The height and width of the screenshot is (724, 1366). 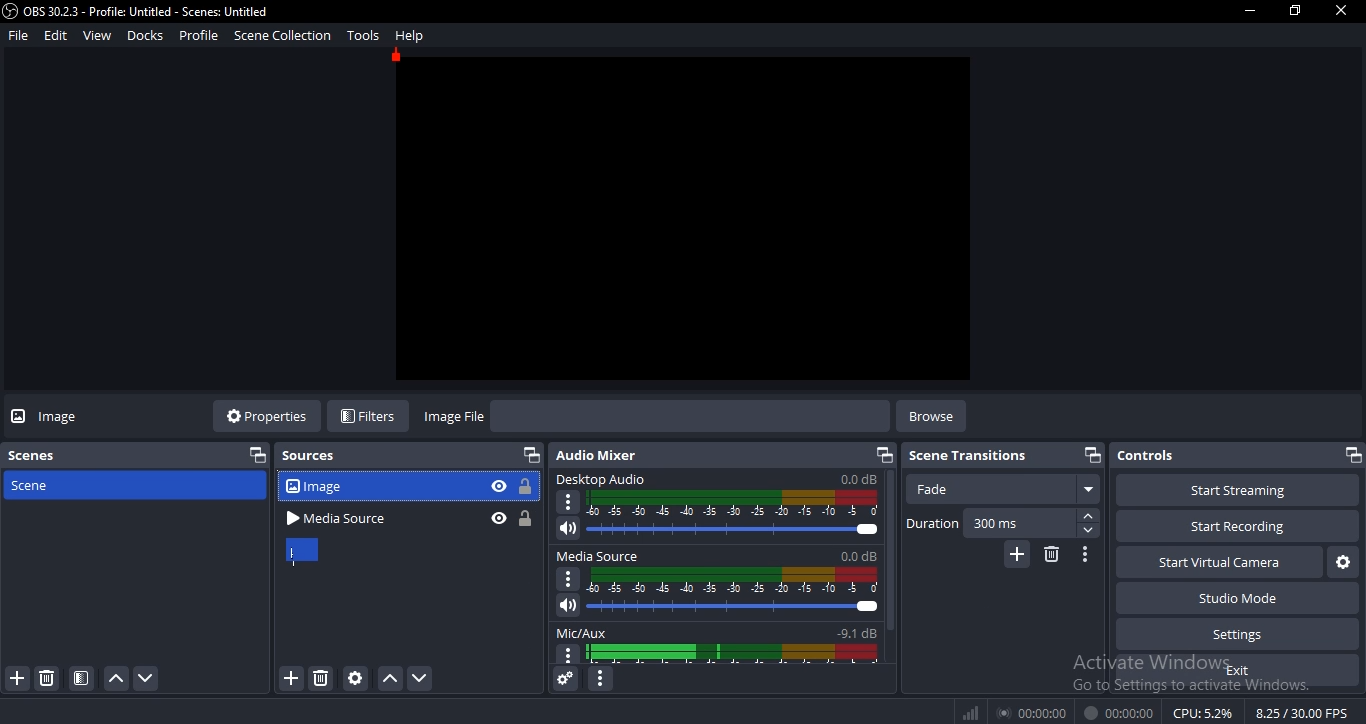 What do you see at coordinates (96, 34) in the screenshot?
I see `view` at bounding box center [96, 34].